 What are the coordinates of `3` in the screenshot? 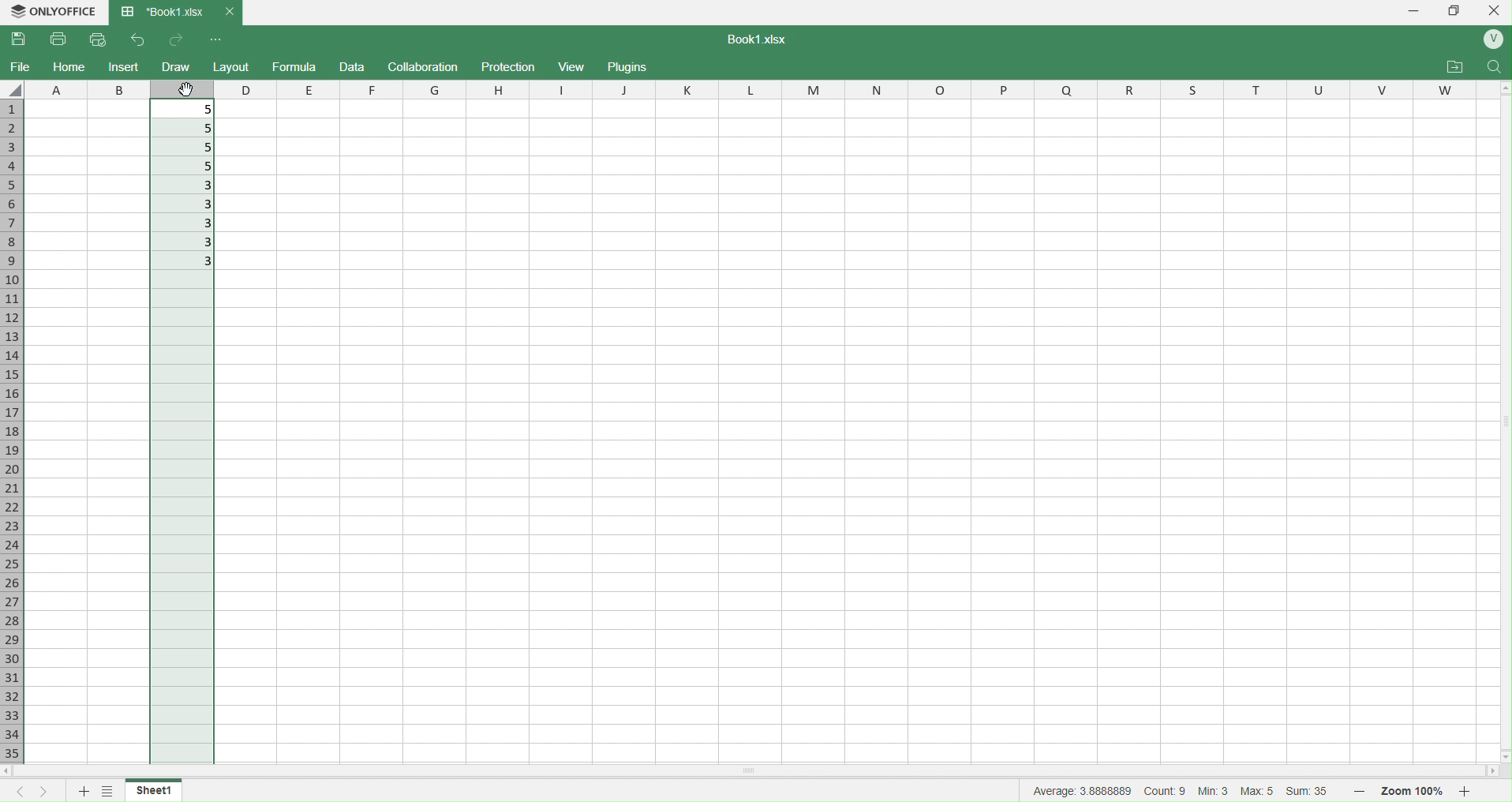 It's located at (186, 186).